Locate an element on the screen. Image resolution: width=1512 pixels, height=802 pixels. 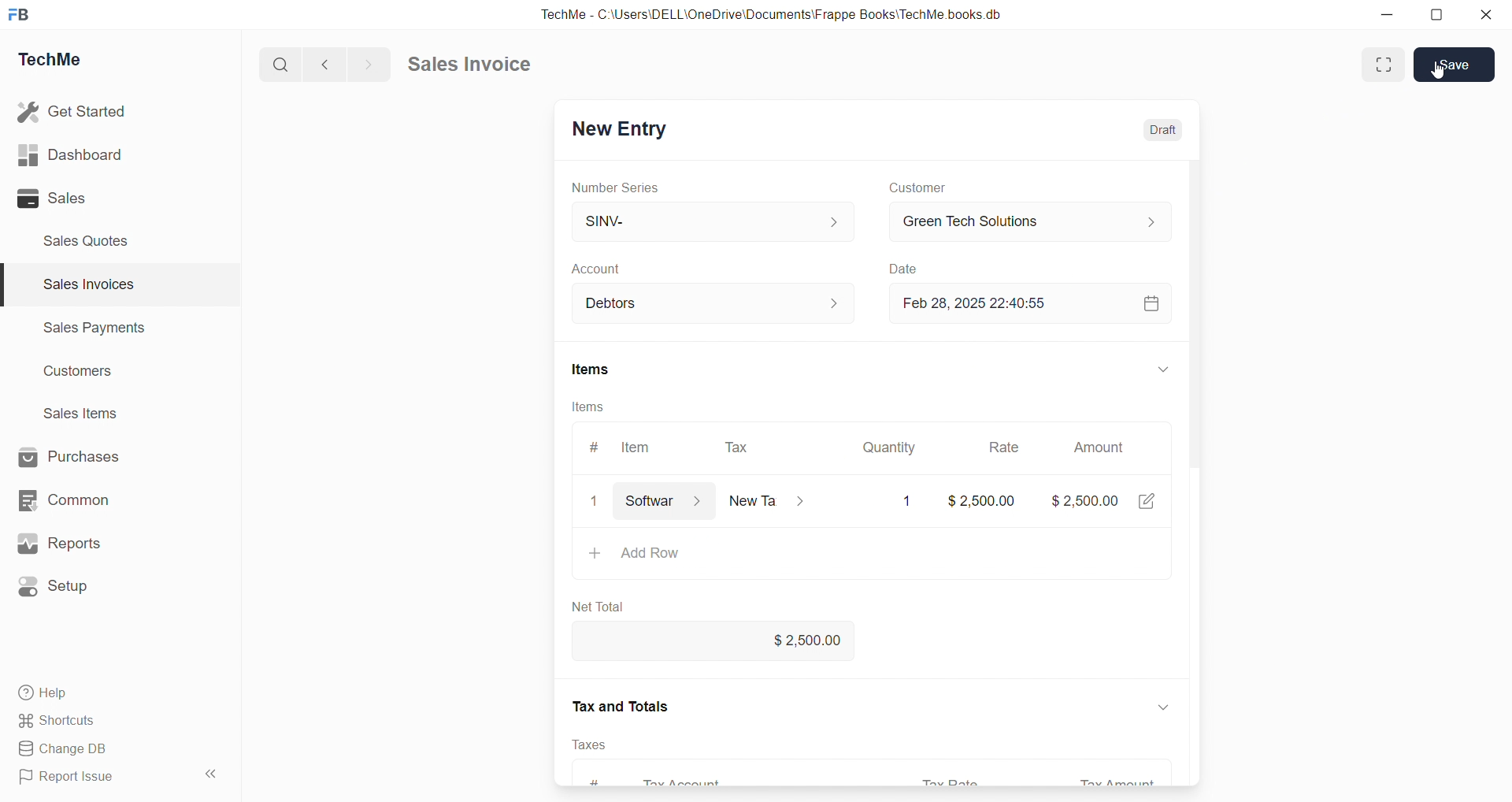
$2,500.00 is located at coordinates (984, 500).